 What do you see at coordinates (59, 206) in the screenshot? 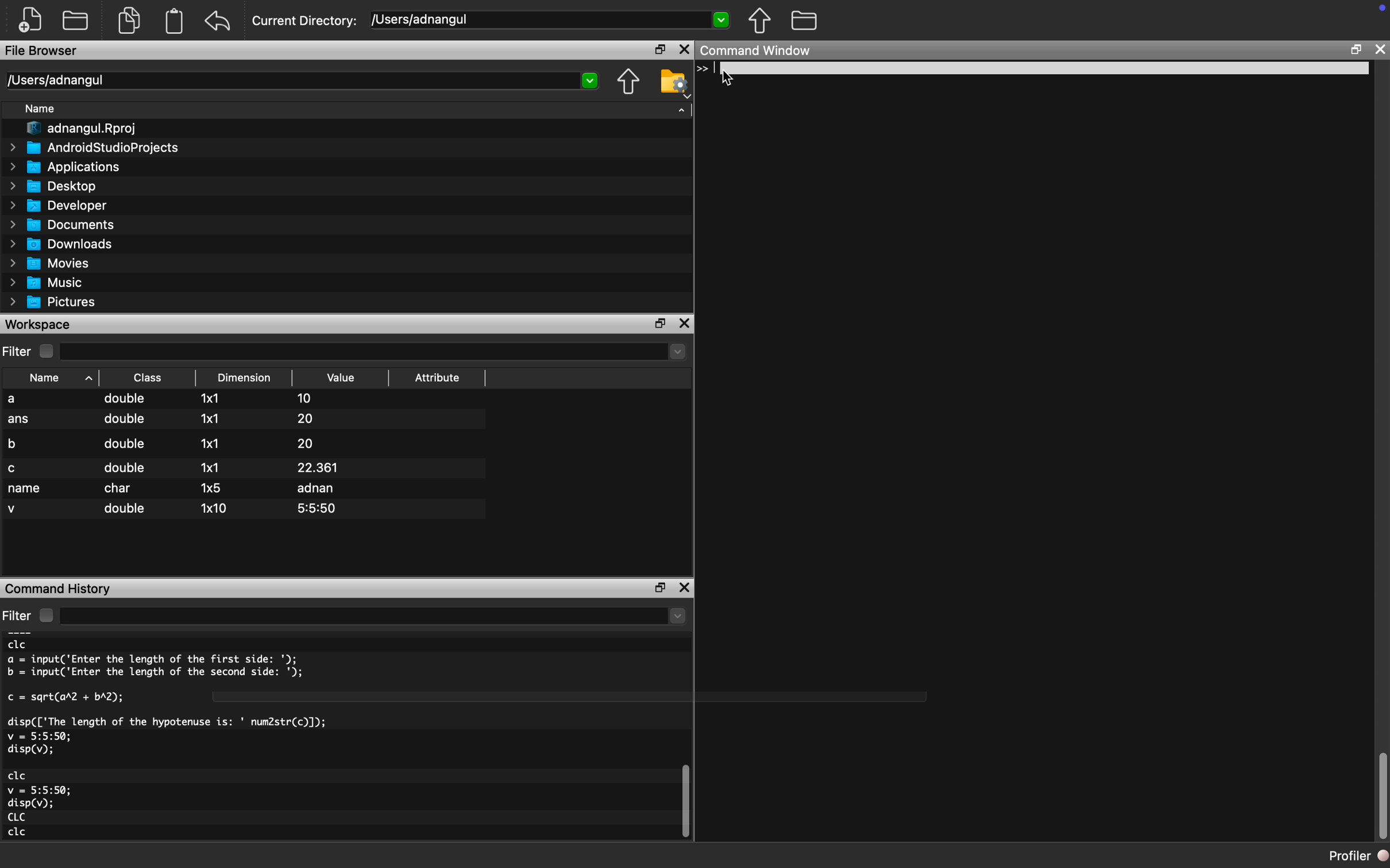
I see `> [3 Developer` at bounding box center [59, 206].